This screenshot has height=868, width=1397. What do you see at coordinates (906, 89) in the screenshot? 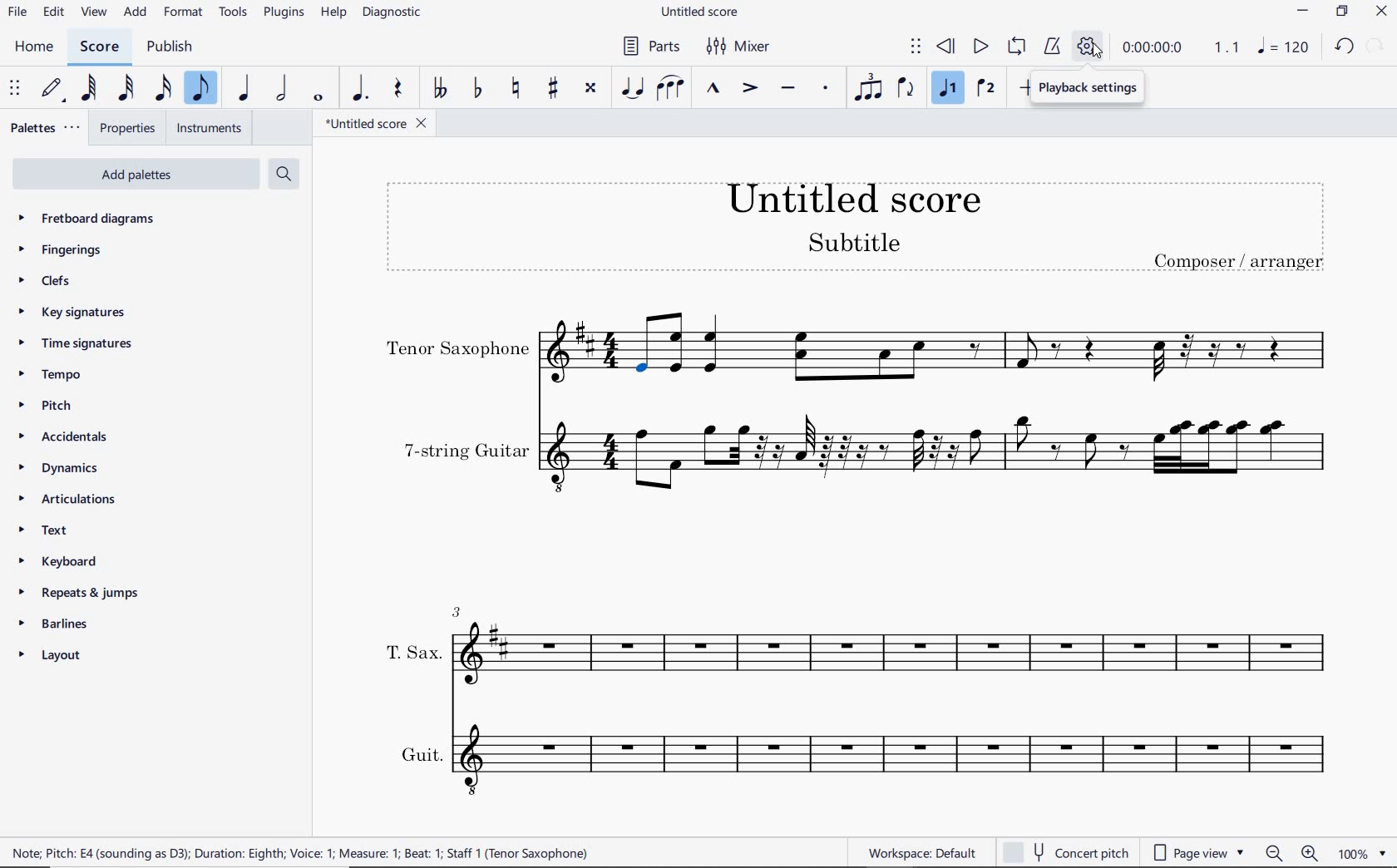
I see `FLIP DIRECTION` at bounding box center [906, 89].